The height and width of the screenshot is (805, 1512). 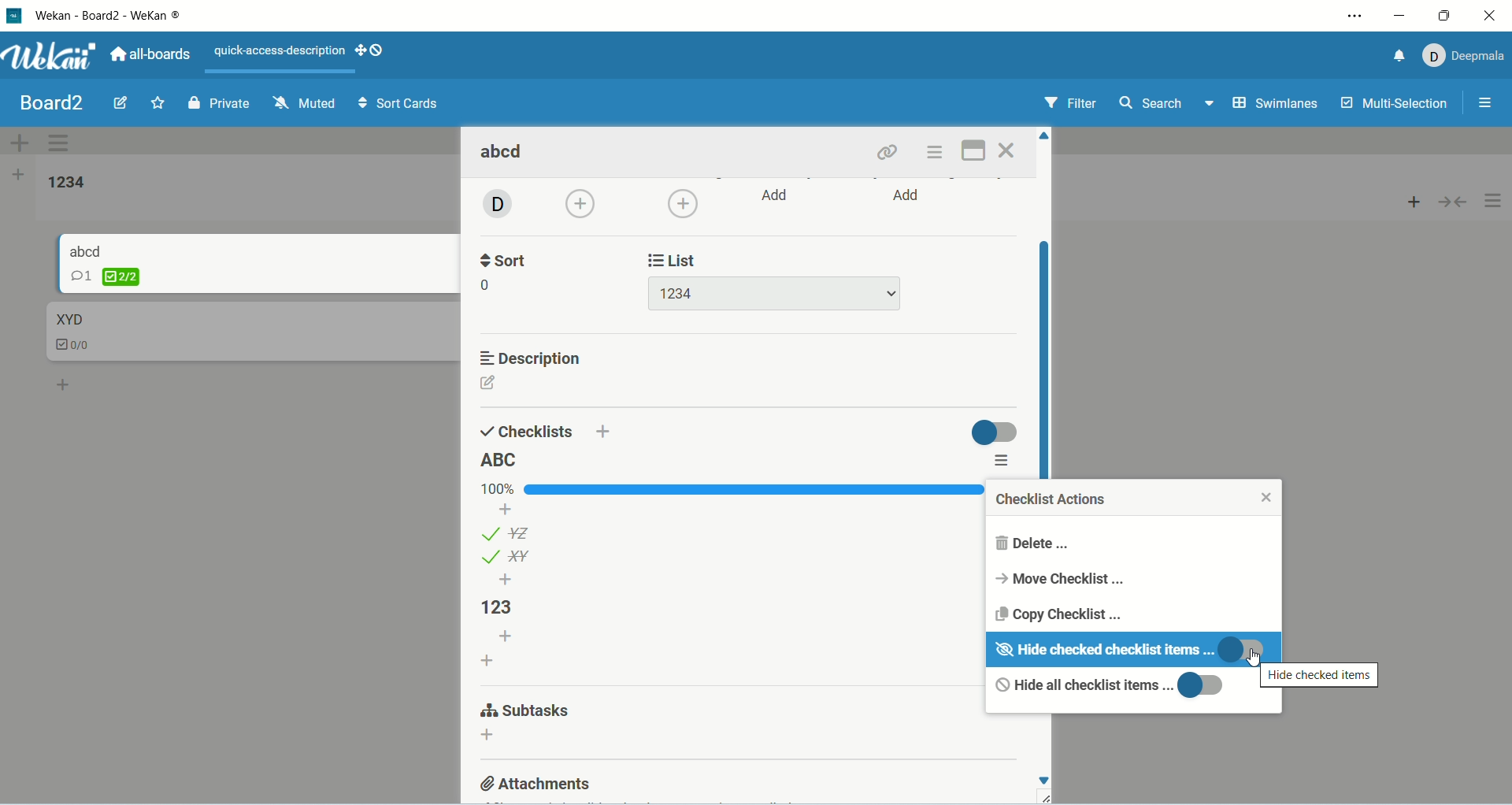 What do you see at coordinates (1044, 781) in the screenshot?
I see `scroll down` at bounding box center [1044, 781].